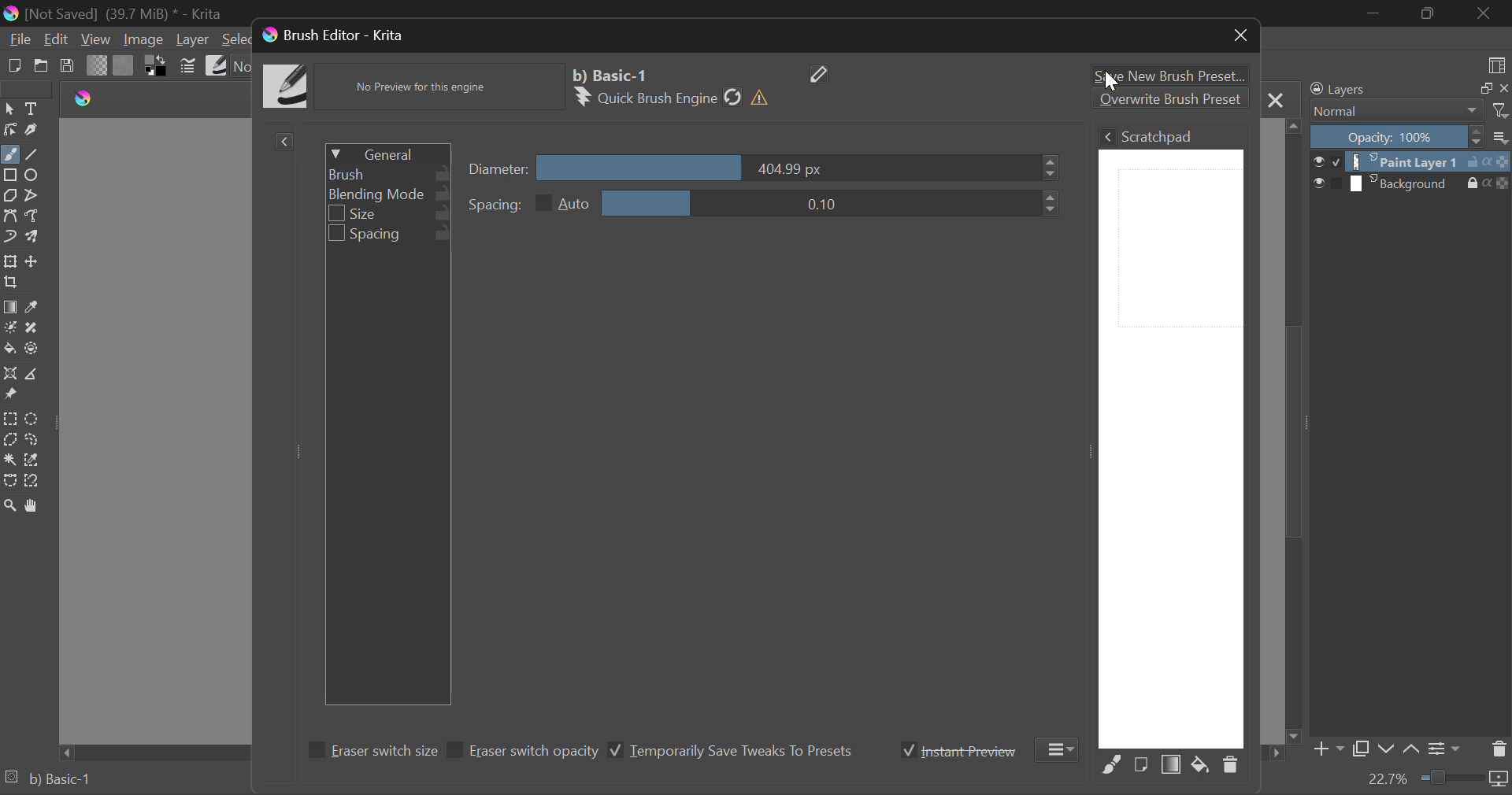  I want to click on General, so click(387, 152).